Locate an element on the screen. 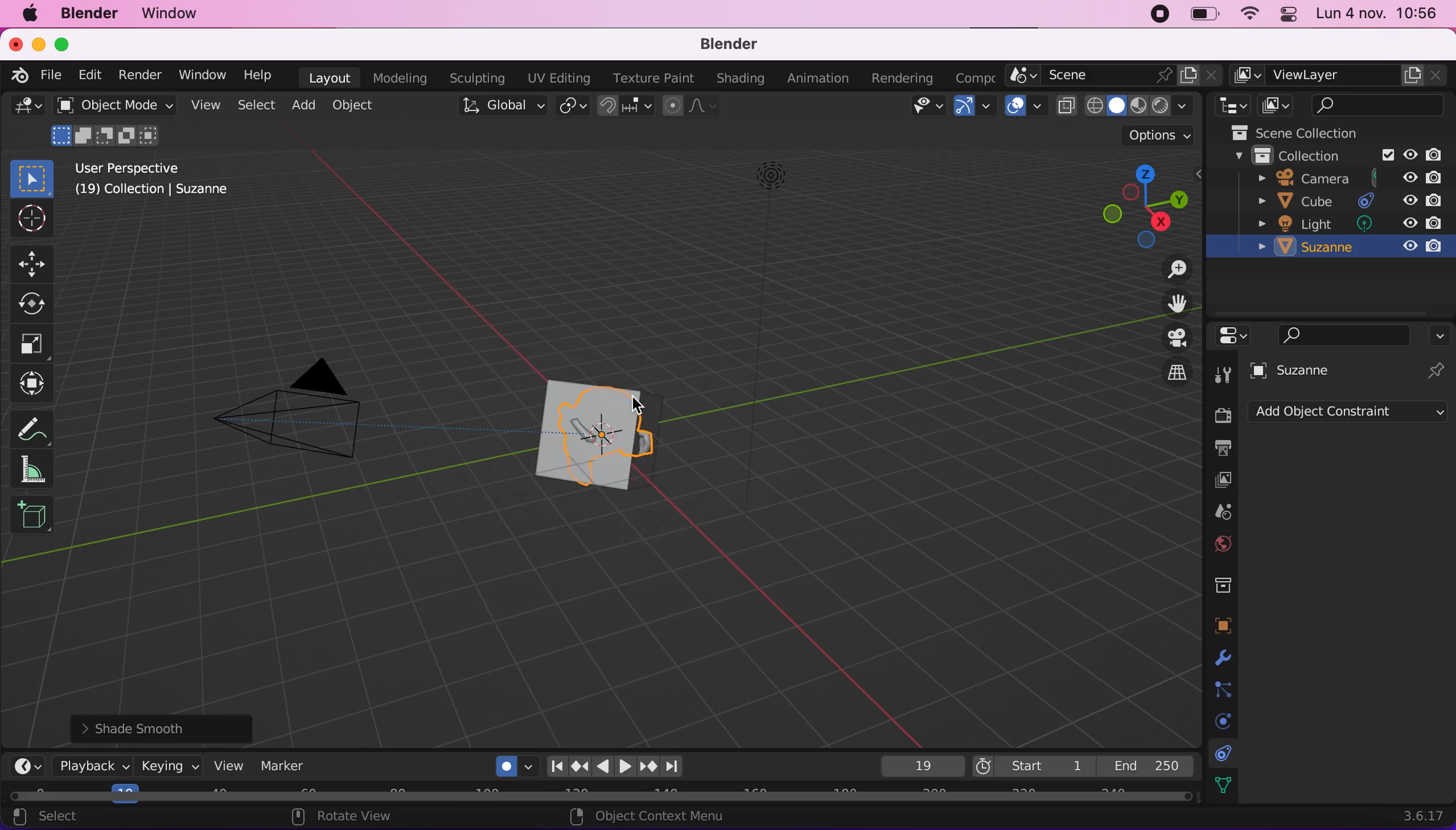 Image resolution: width=1456 pixels, height=830 pixels. click, shortcut and drag is located at coordinates (1135, 204).